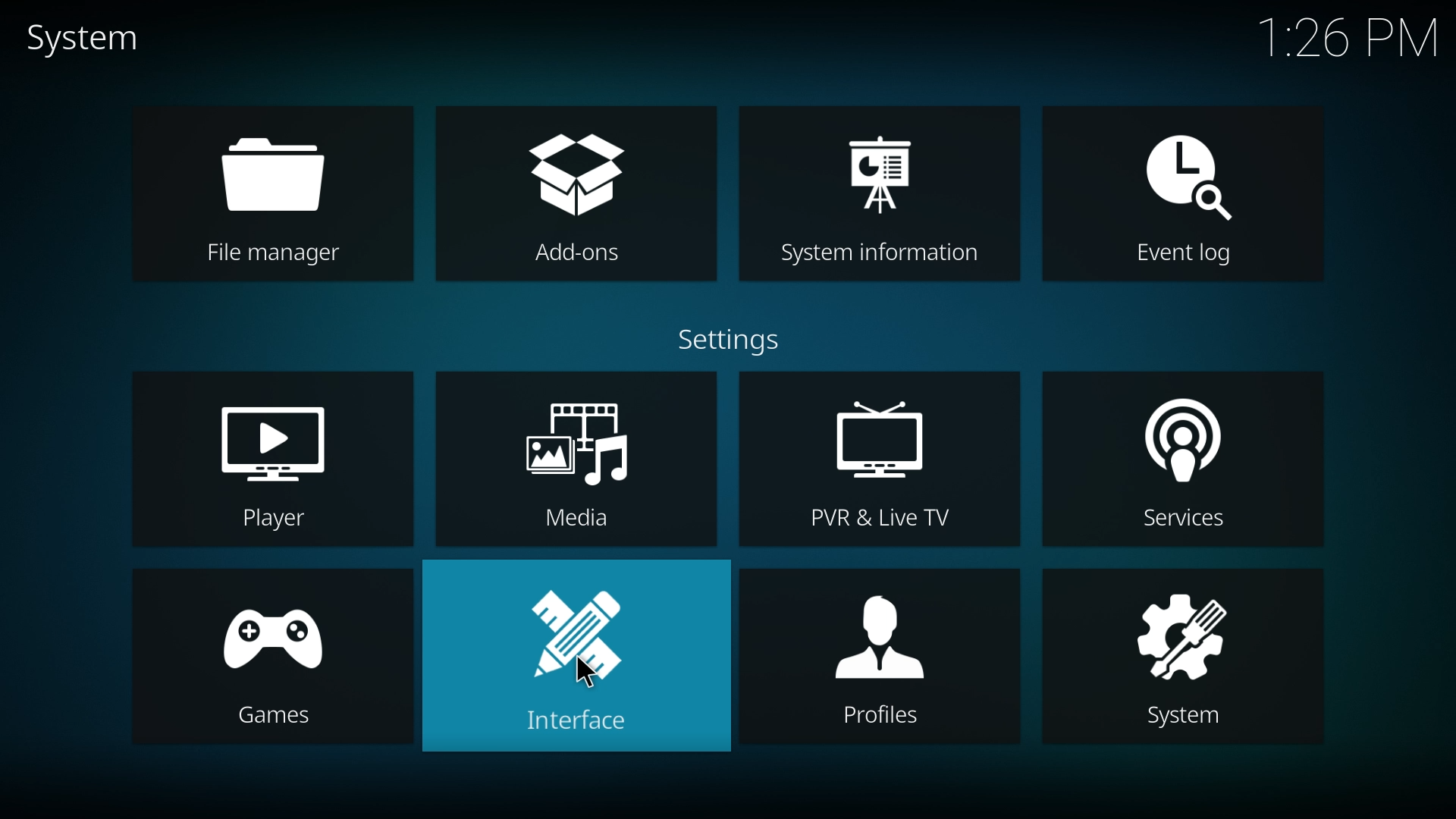  Describe the element at coordinates (274, 656) in the screenshot. I see `games` at that location.